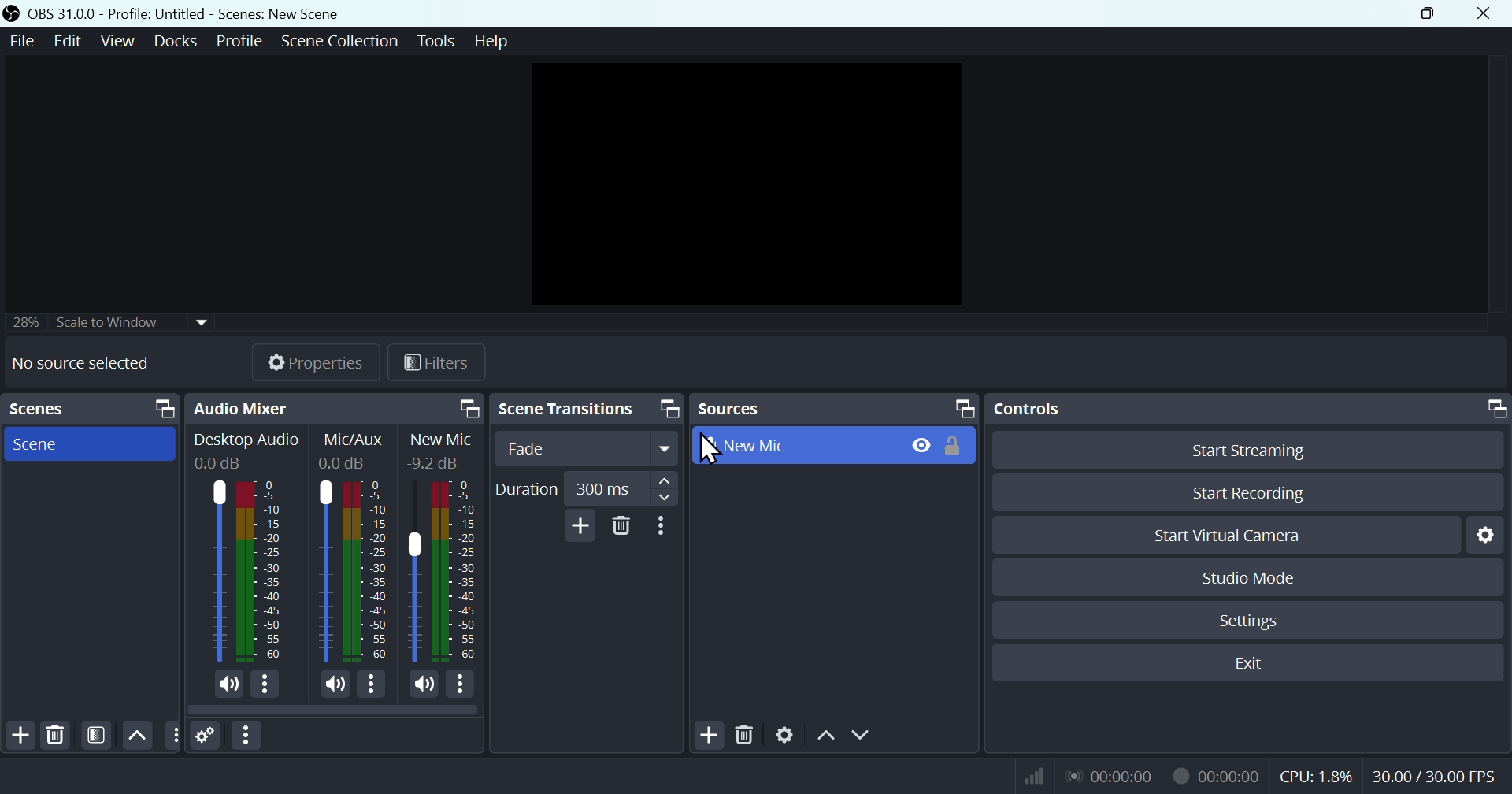 This screenshot has height=794, width=1512. I want to click on 25% scale to window, so click(104, 325).